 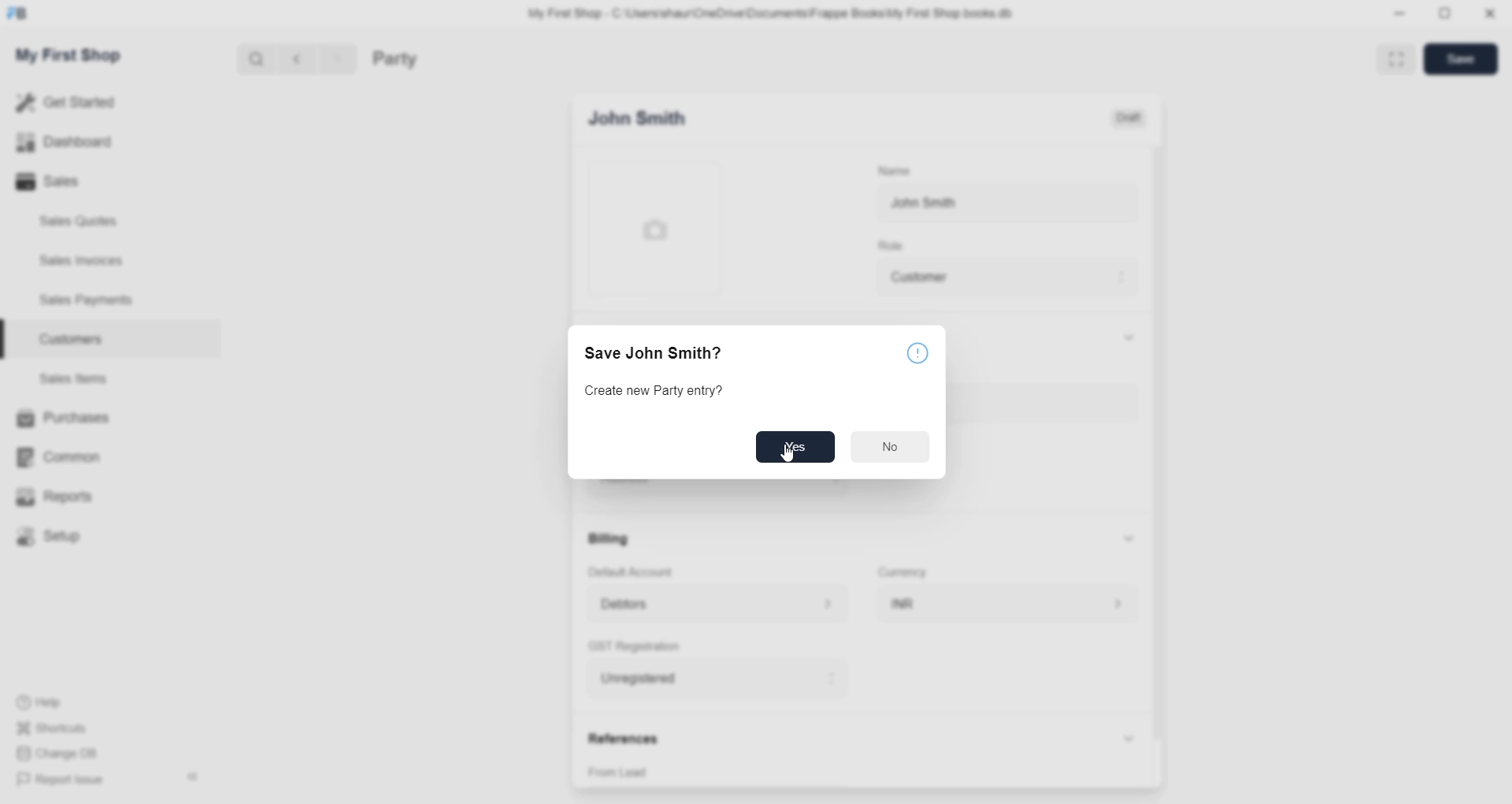 What do you see at coordinates (907, 574) in the screenshot?
I see `Currency` at bounding box center [907, 574].